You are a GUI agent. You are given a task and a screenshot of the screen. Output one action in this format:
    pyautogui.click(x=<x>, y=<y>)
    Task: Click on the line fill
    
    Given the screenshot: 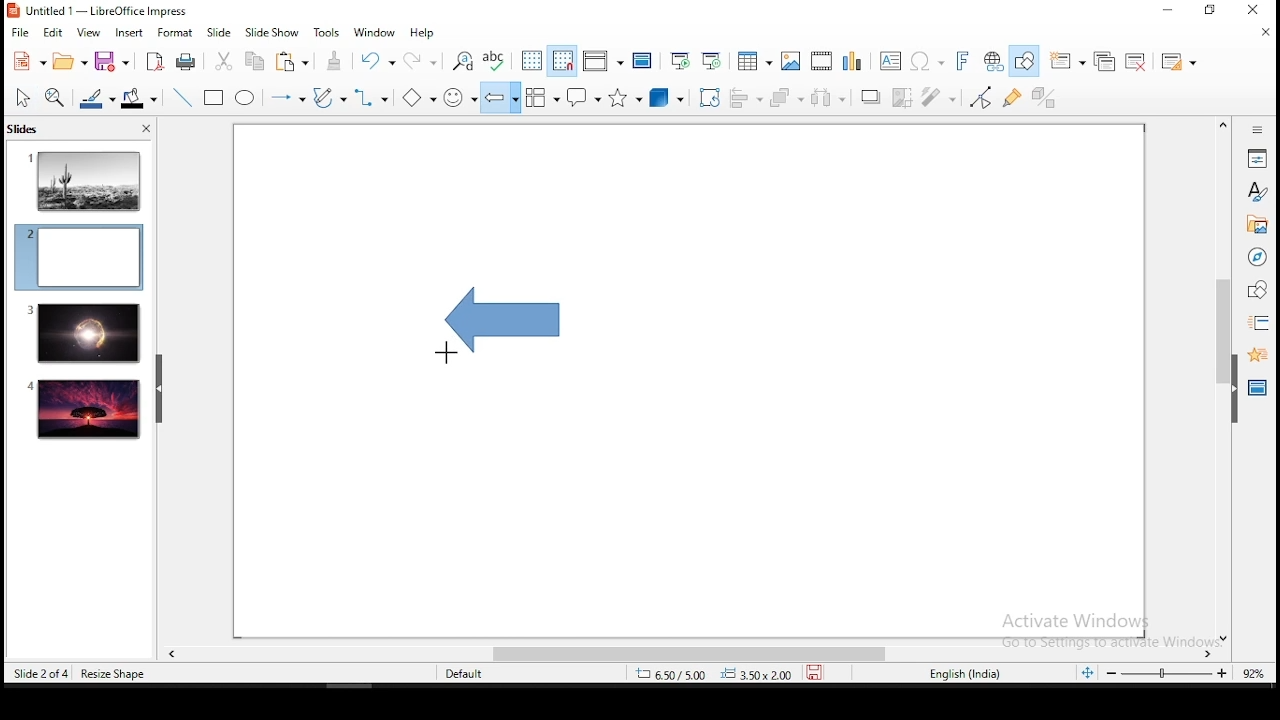 What is the action you would take?
    pyautogui.click(x=95, y=99)
    